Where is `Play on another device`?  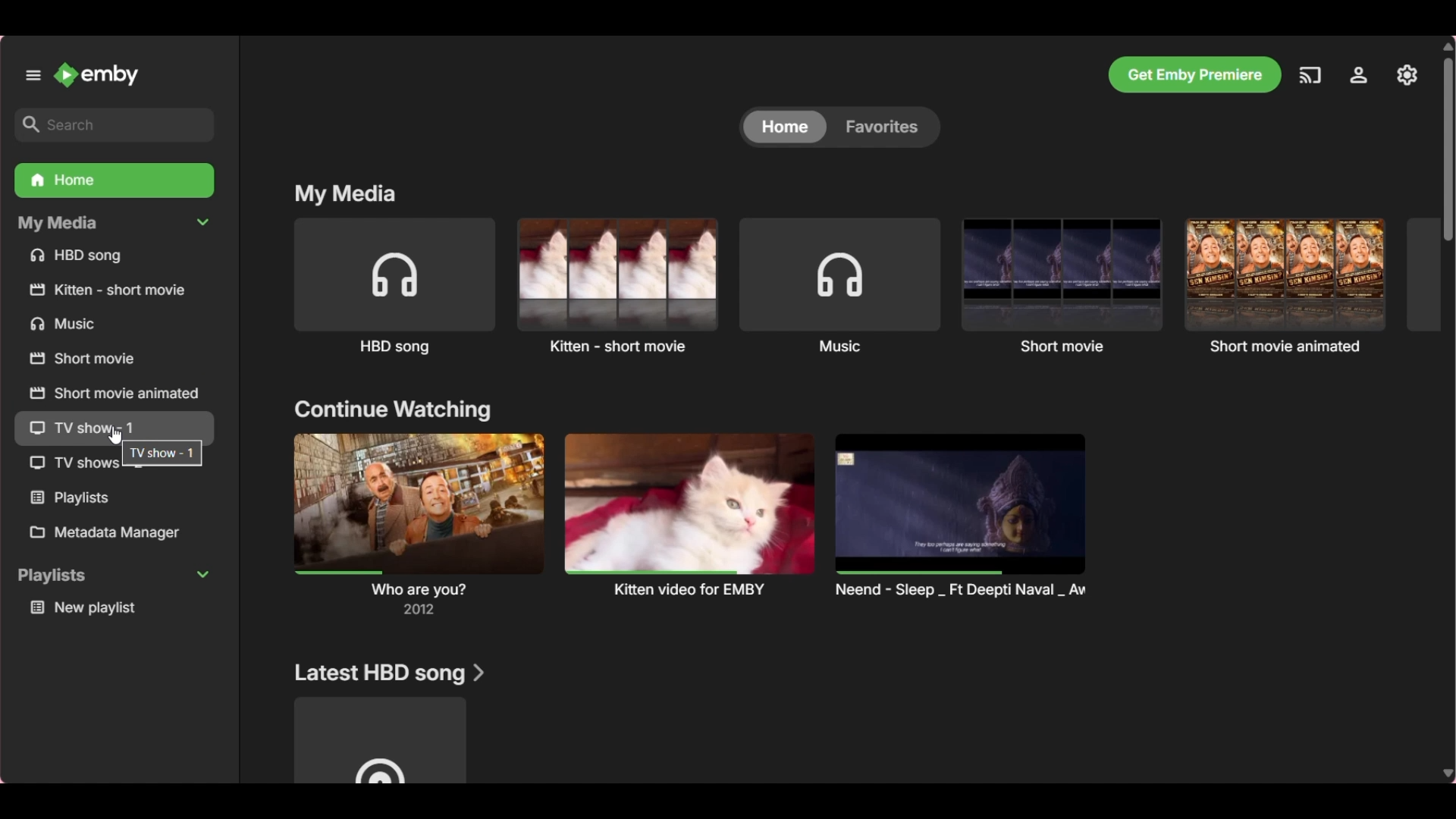 Play on another device is located at coordinates (1310, 75).